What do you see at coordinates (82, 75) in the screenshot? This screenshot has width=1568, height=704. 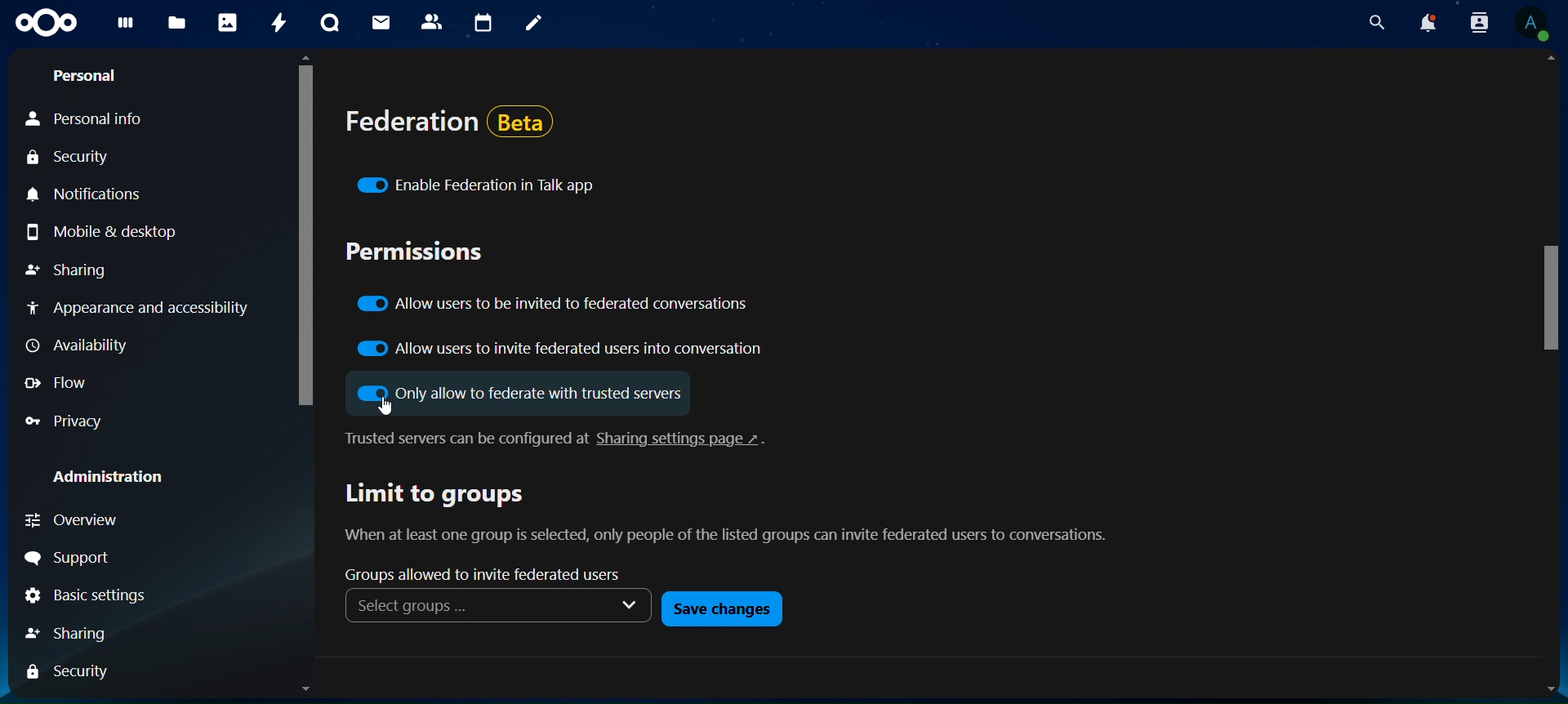 I see `Personal` at bounding box center [82, 75].